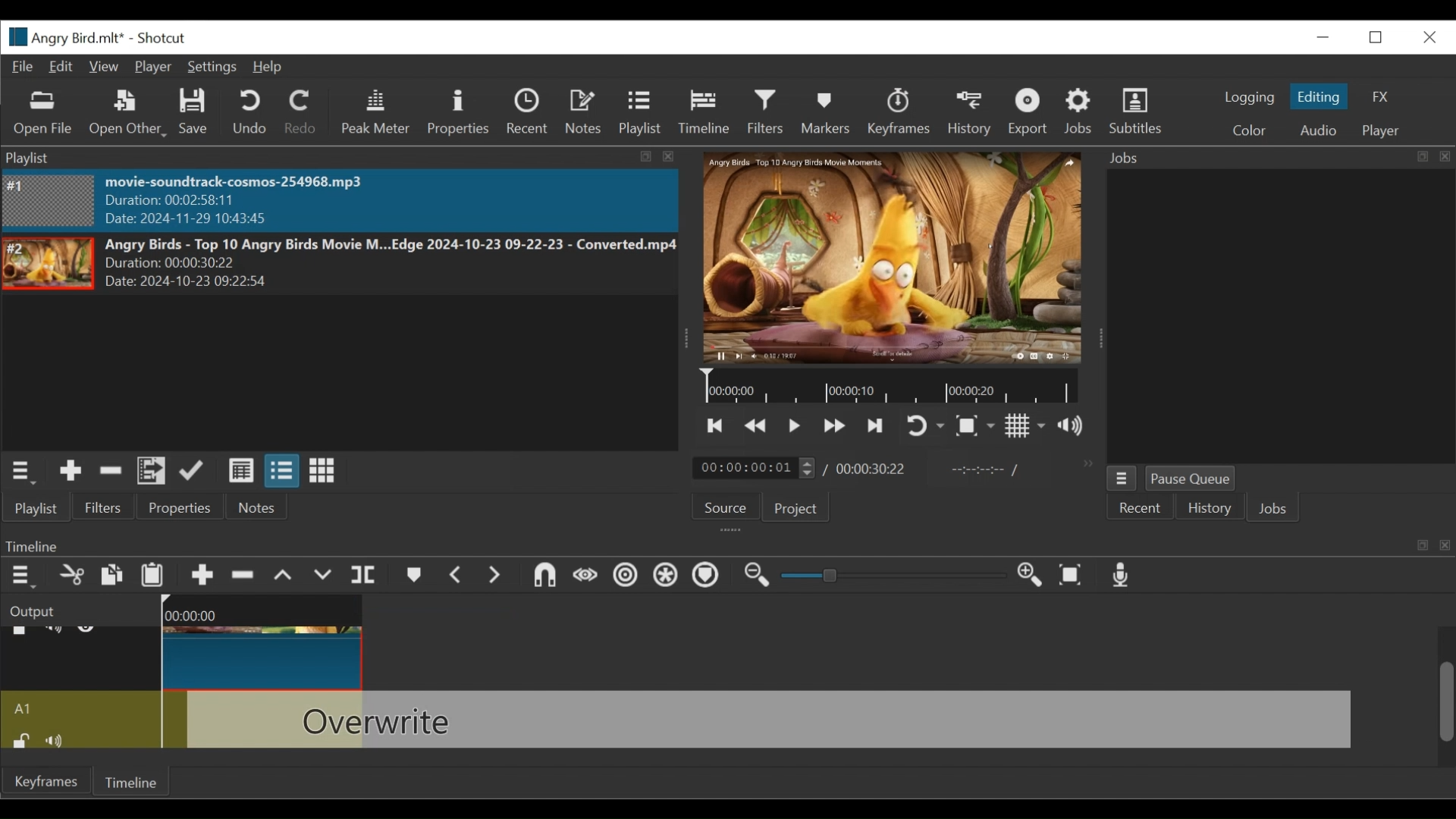 The height and width of the screenshot is (819, 1456). Describe the element at coordinates (1382, 99) in the screenshot. I see `FX` at that location.